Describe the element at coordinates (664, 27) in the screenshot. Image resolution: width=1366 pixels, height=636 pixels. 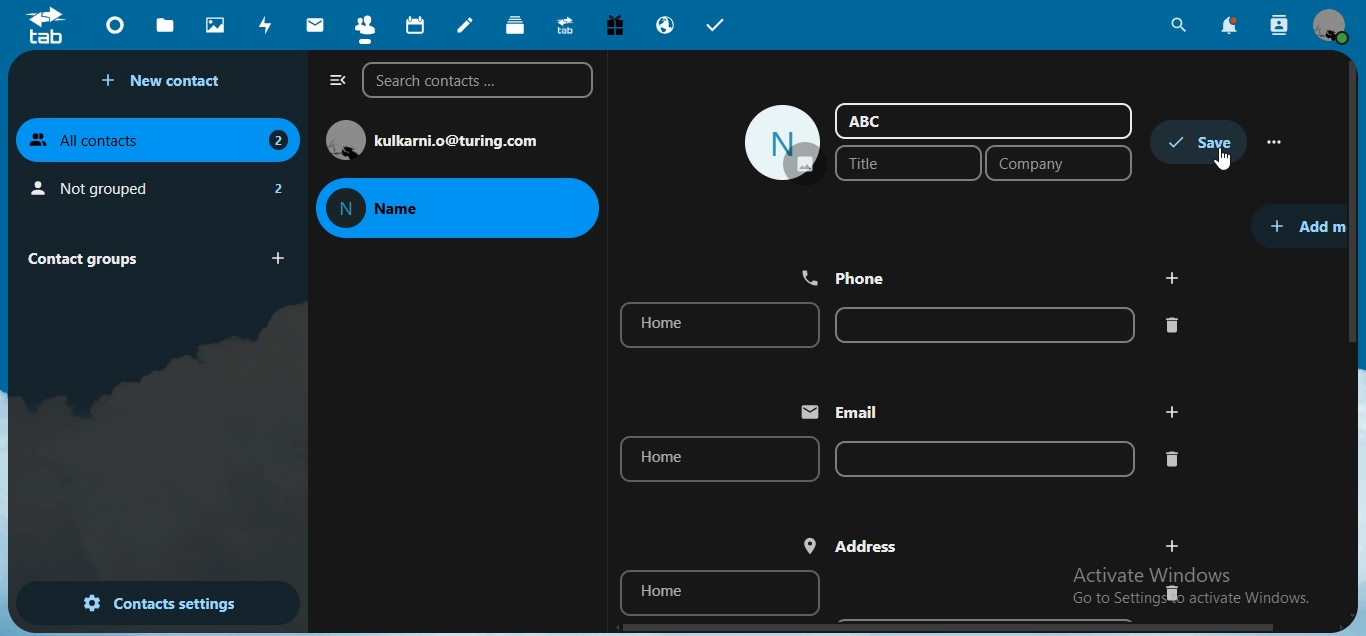
I see `email hosting` at that location.